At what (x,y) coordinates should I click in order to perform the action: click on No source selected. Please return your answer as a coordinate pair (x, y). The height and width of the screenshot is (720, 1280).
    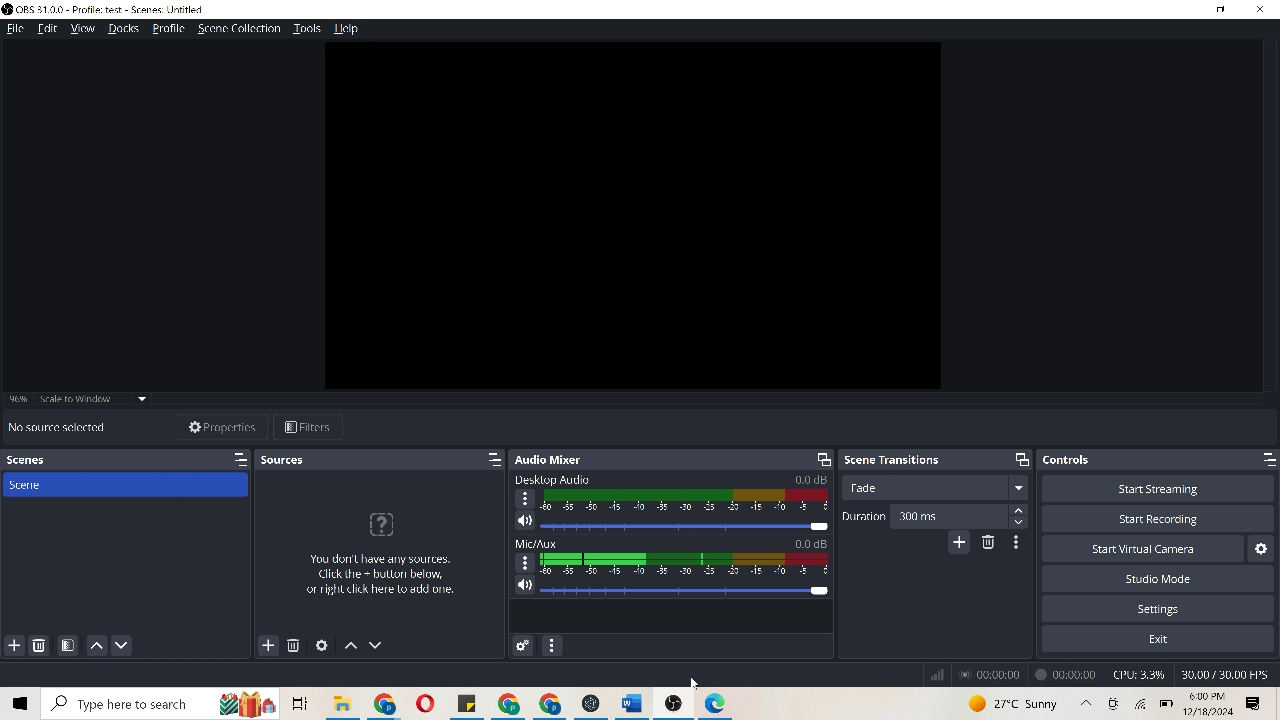
    Looking at the image, I should click on (59, 427).